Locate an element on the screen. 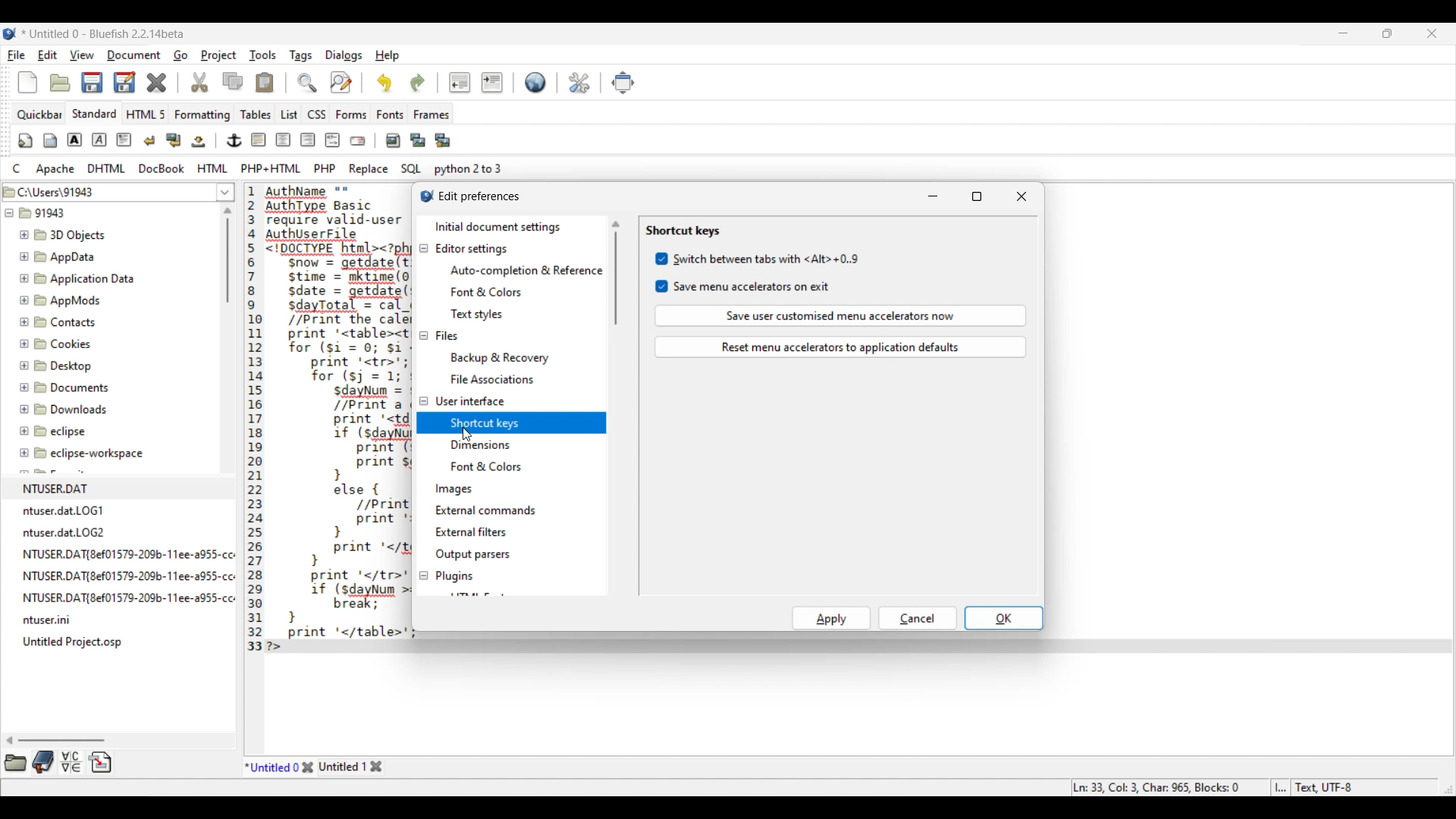  Close window is located at coordinates (1022, 196).